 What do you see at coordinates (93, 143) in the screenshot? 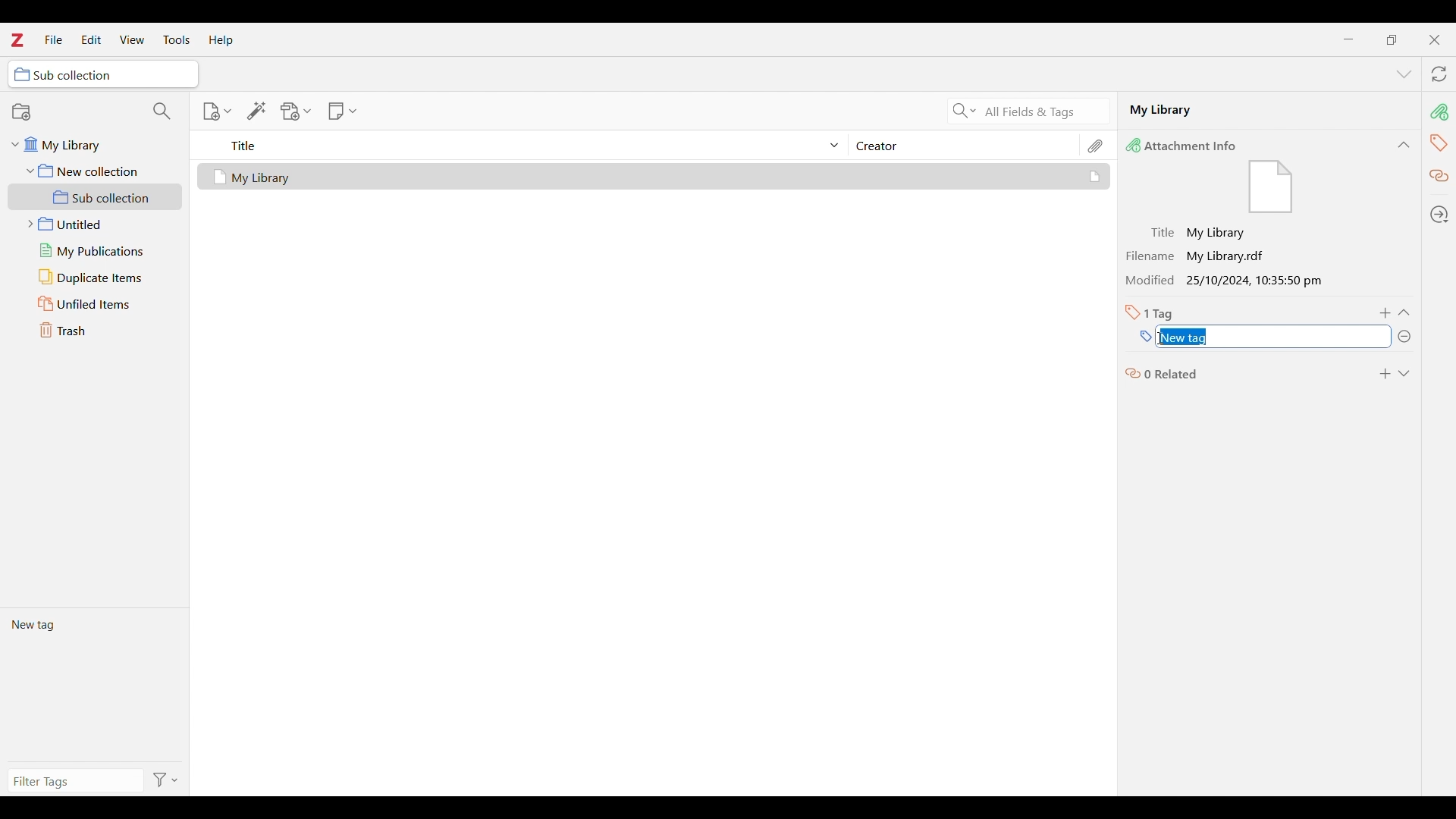
I see `My library folder` at bounding box center [93, 143].